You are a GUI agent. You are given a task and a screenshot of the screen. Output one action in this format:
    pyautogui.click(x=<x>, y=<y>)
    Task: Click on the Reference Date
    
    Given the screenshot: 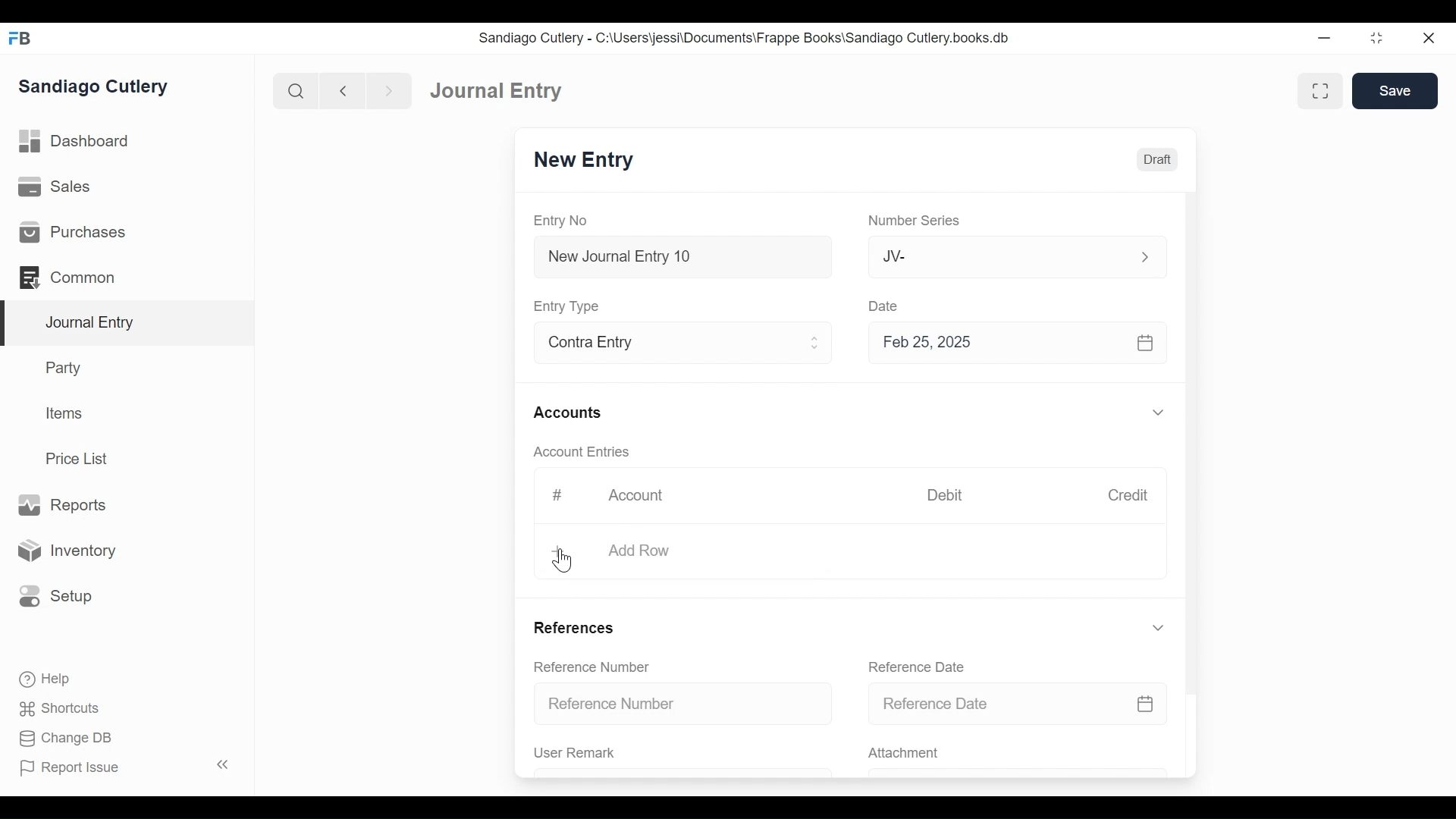 What is the action you would take?
    pyautogui.click(x=921, y=667)
    